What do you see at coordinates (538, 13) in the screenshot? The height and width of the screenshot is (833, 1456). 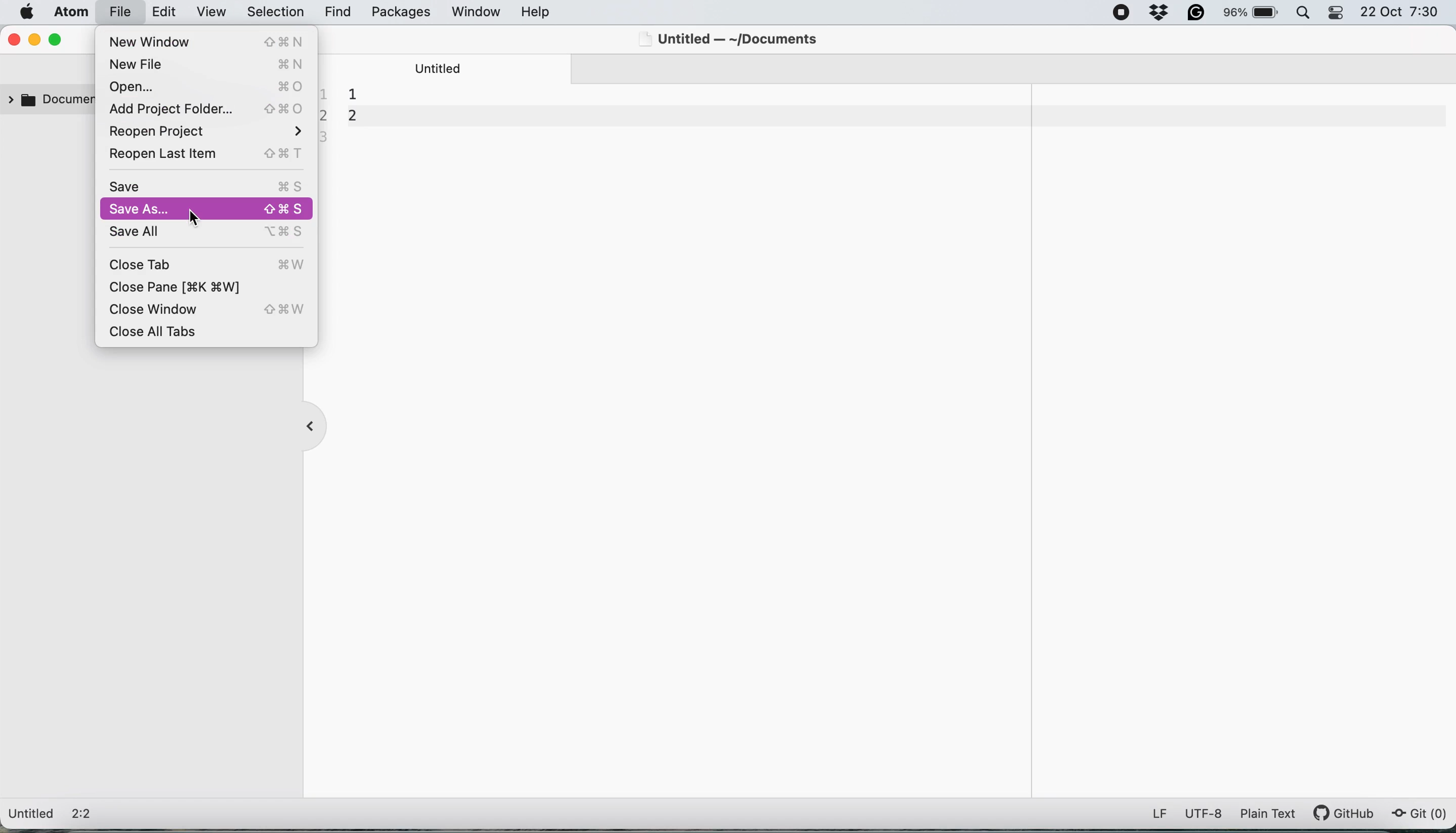 I see `help` at bounding box center [538, 13].